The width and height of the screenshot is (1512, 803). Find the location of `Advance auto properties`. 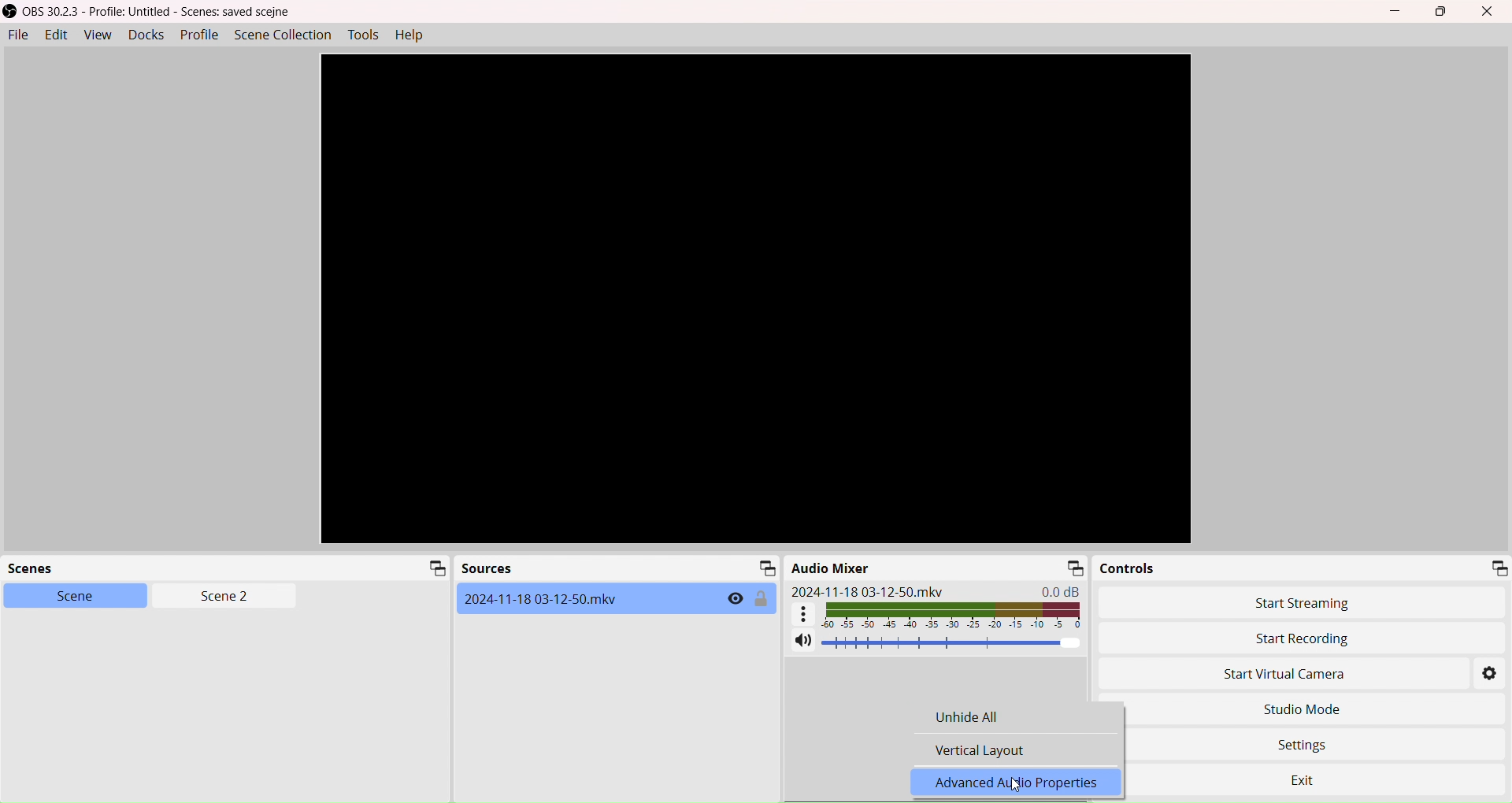

Advance auto properties is located at coordinates (1022, 783).